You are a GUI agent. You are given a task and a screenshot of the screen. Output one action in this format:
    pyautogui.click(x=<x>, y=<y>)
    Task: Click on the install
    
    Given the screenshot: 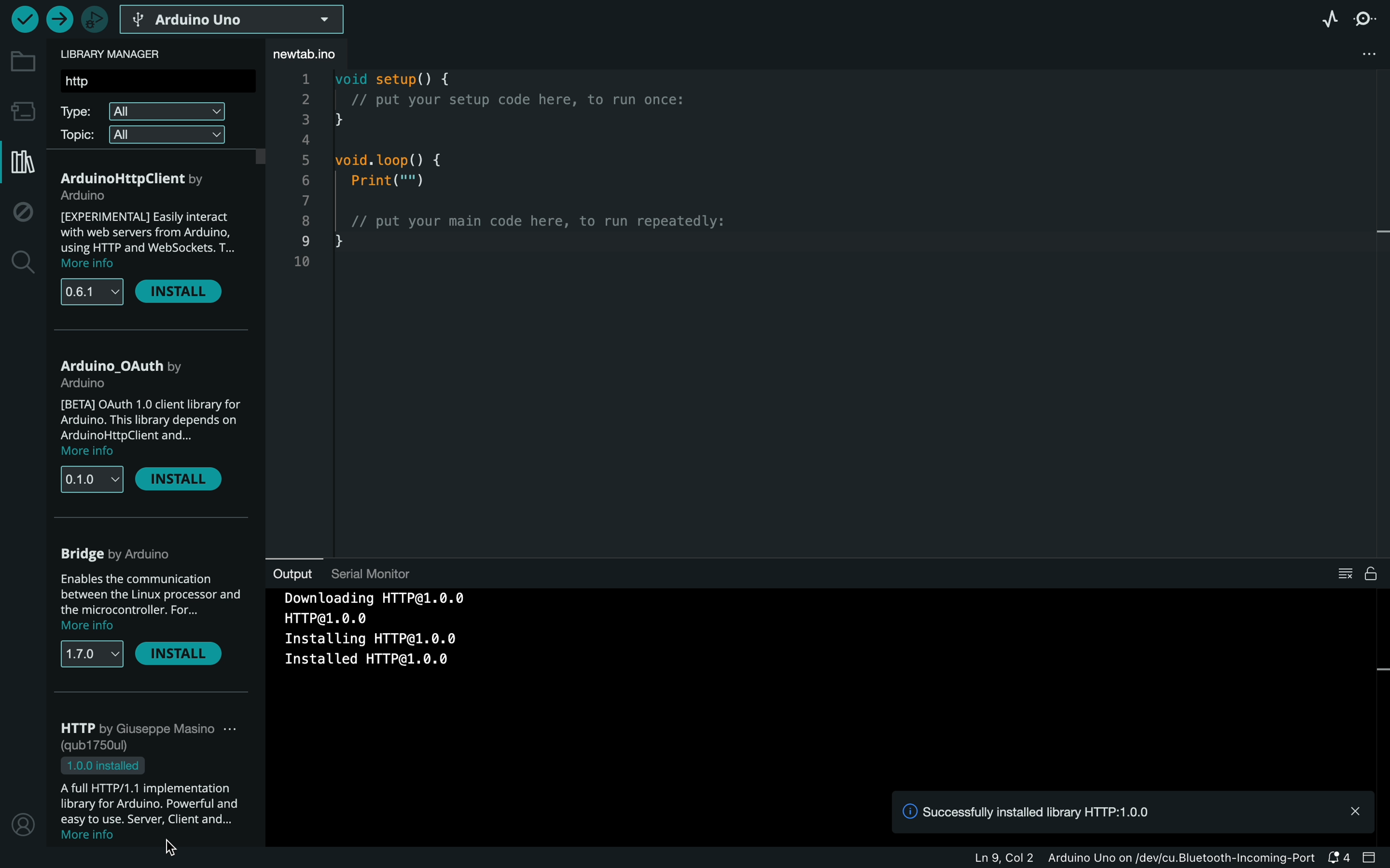 What is the action you would take?
    pyautogui.click(x=184, y=658)
    